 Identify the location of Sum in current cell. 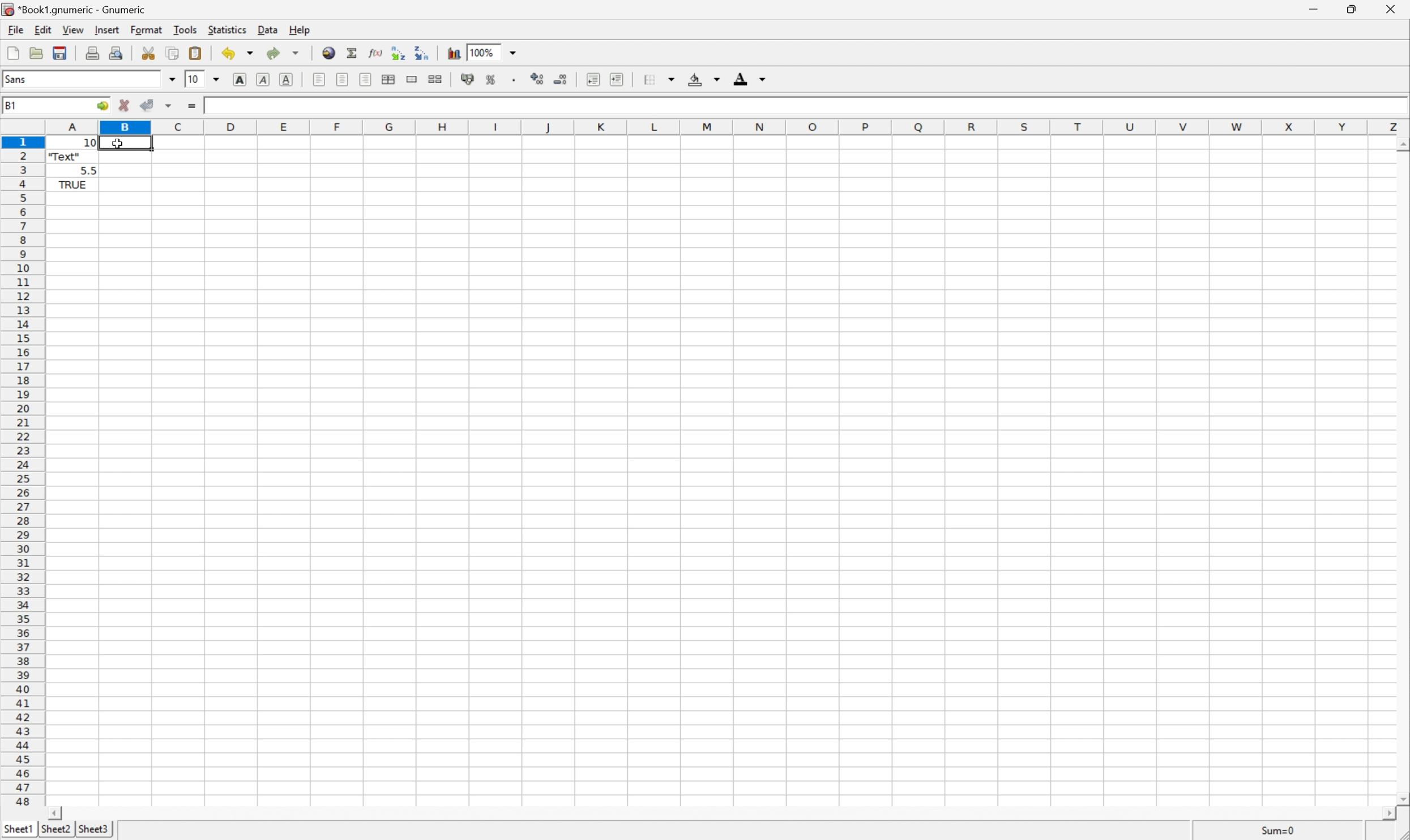
(353, 53).